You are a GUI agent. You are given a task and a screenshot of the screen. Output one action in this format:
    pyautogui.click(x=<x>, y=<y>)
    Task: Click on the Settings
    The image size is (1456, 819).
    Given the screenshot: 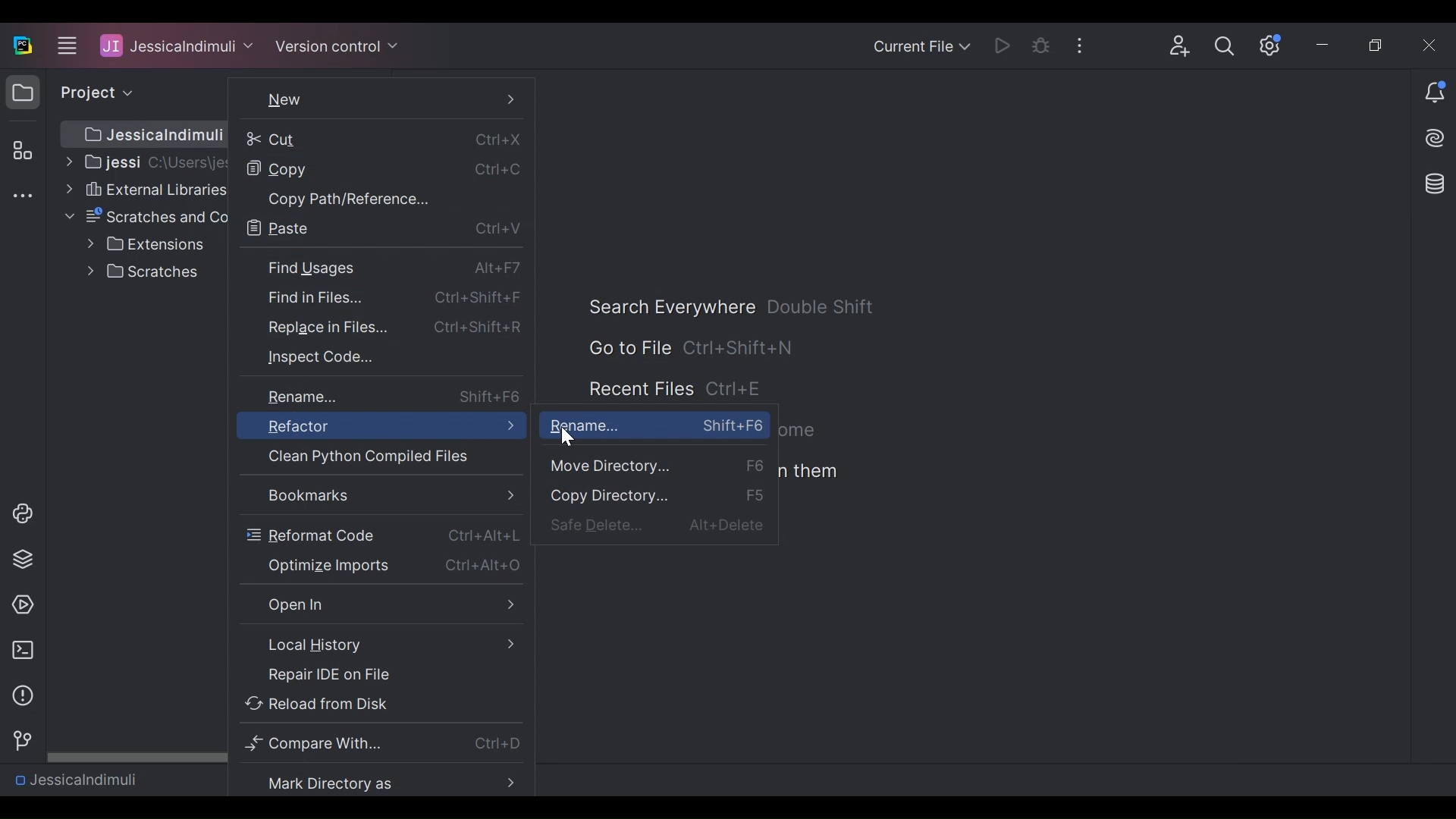 What is the action you would take?
    pyautogui.click(x=1271, y=45)
    